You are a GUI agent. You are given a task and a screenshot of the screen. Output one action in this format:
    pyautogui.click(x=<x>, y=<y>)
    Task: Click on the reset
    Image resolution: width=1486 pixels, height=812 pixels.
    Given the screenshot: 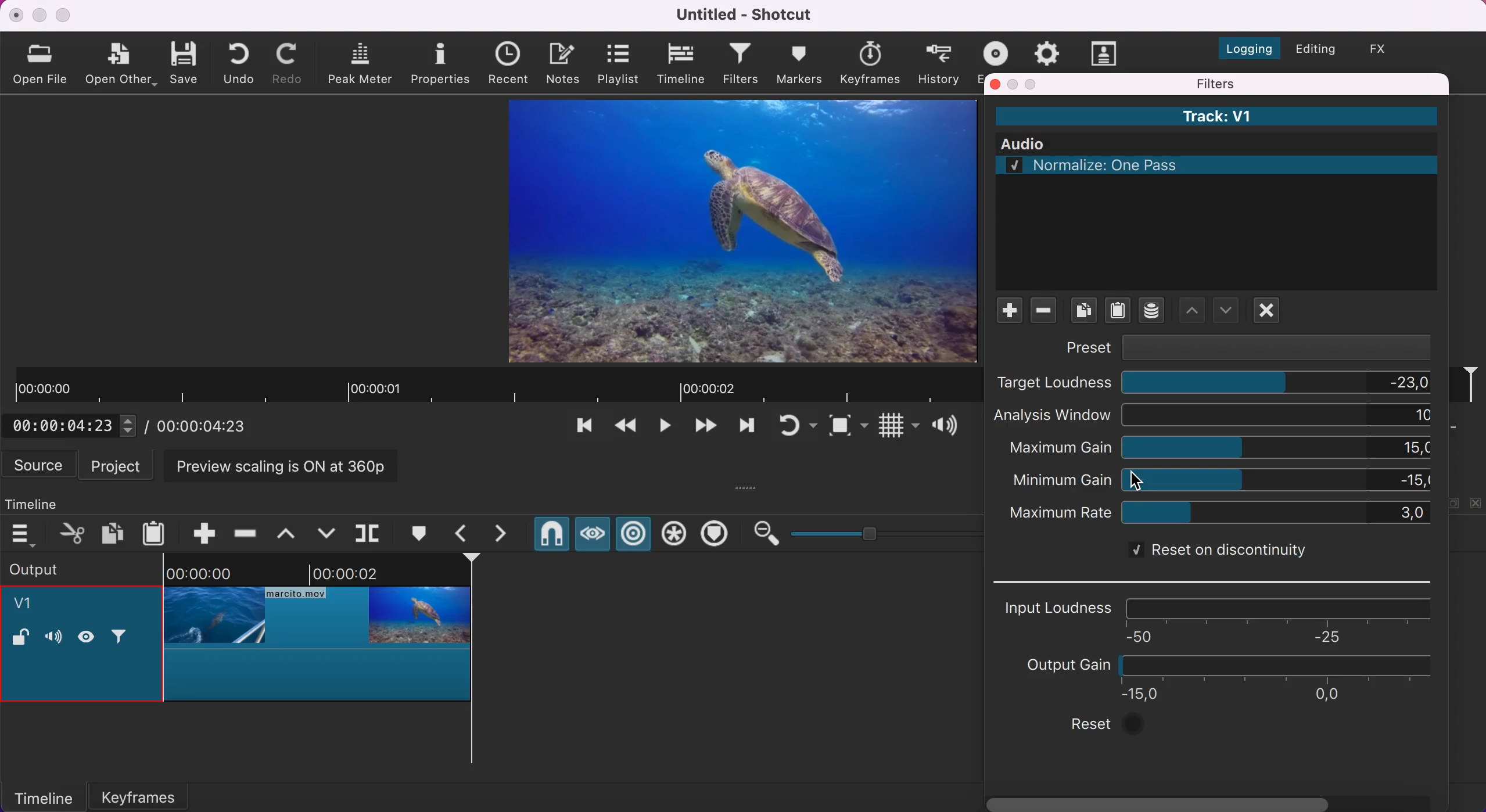 What is the action you would take?
    pyautogui.click(x=1111, y=726)
    